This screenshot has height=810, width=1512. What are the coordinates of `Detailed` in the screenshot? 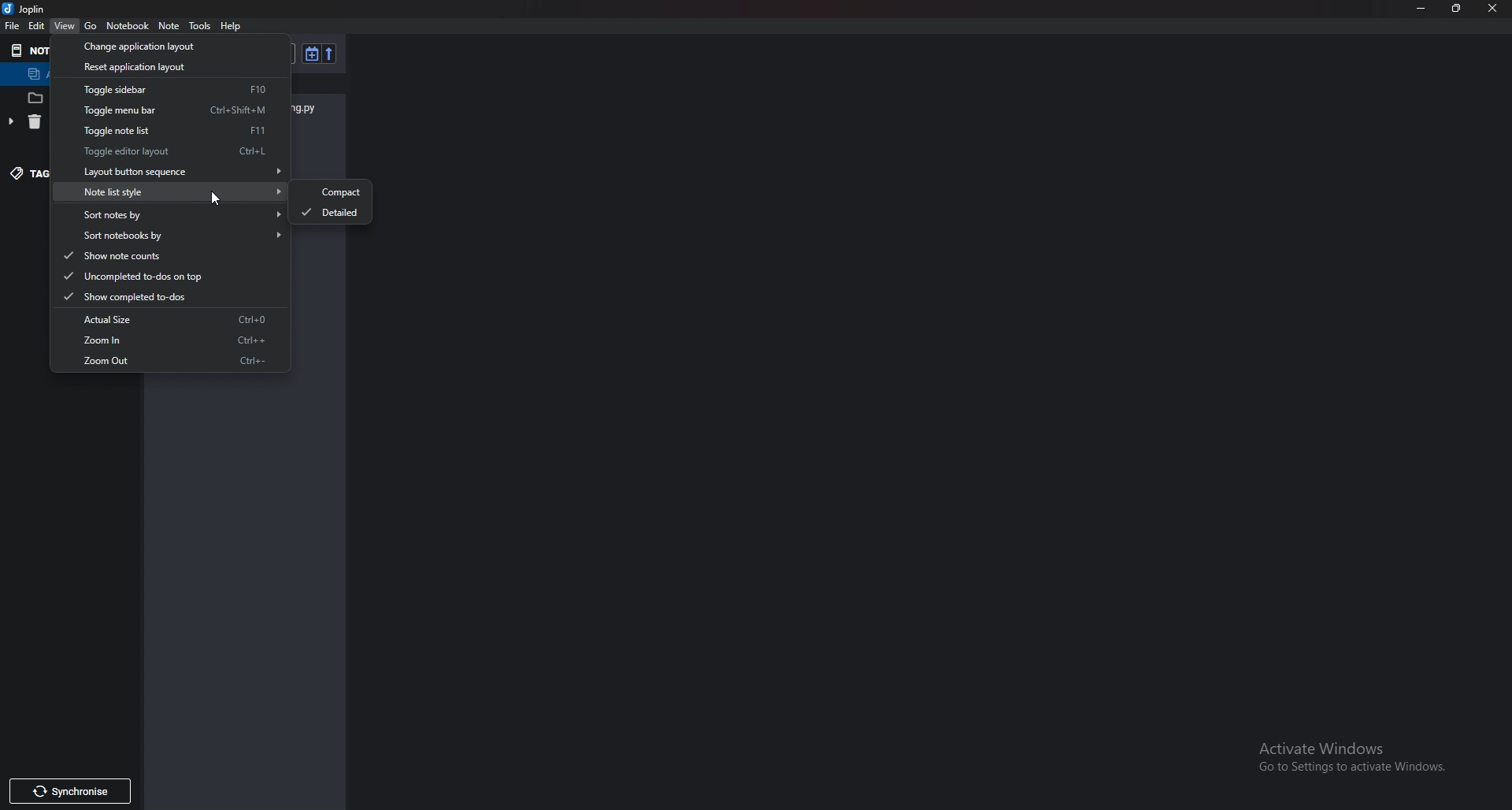 It's located at (332, 213).